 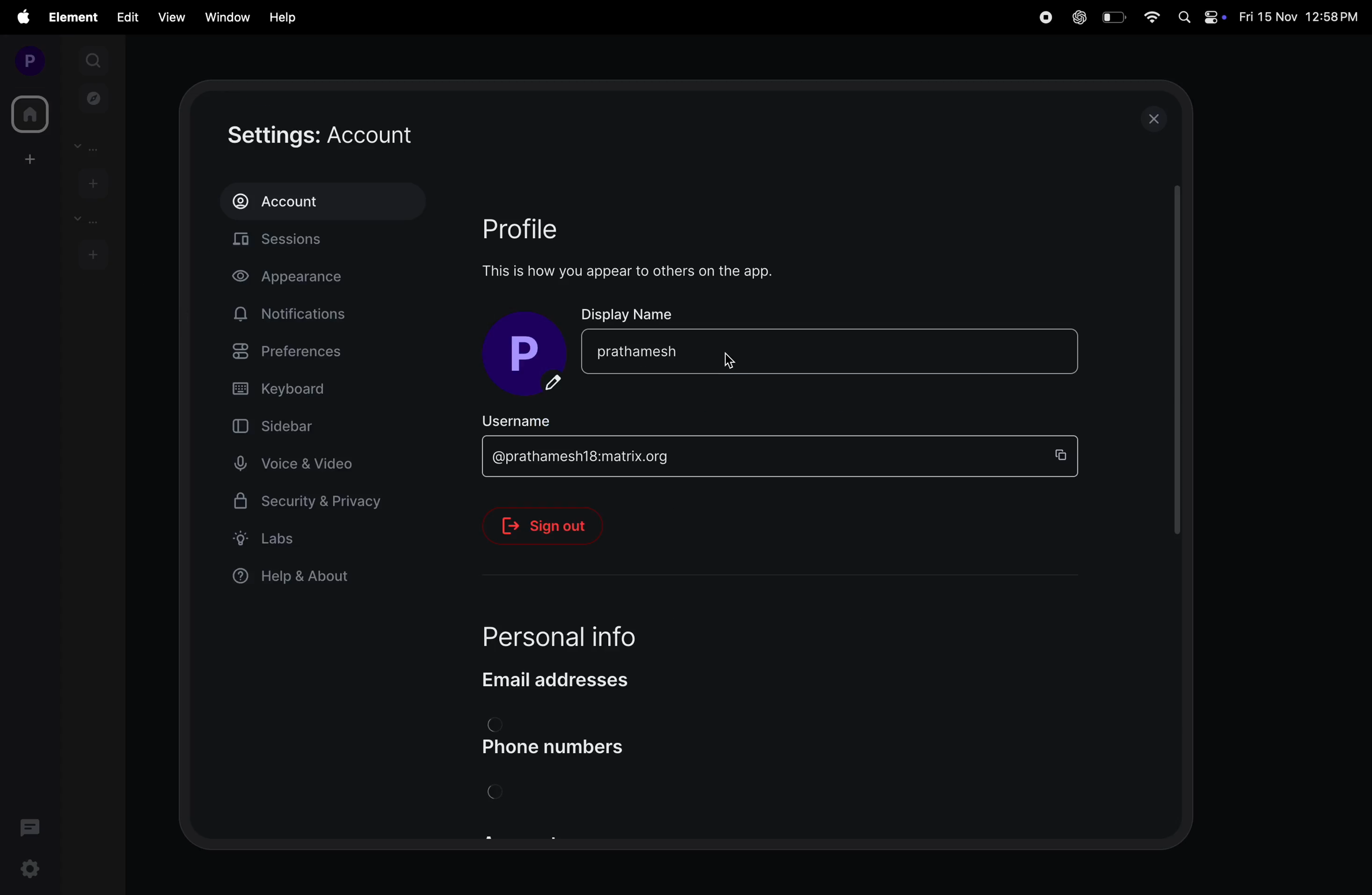 What do you see at coordinates (316, 389) in the screenshot?
I see `keyboard` at bounding box center [316, 389].